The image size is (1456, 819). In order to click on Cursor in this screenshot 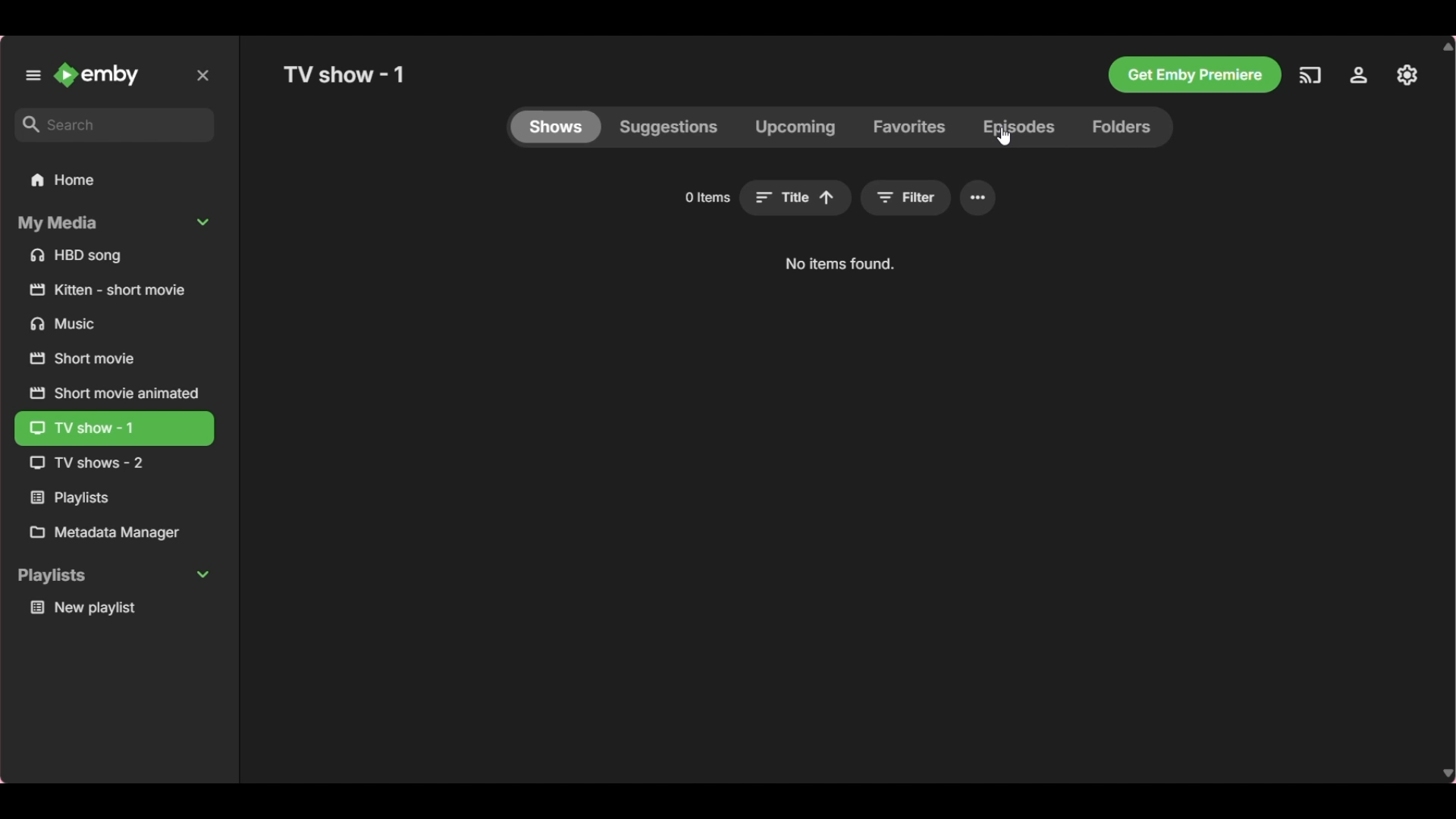, I will do `click(1004, 136)`.